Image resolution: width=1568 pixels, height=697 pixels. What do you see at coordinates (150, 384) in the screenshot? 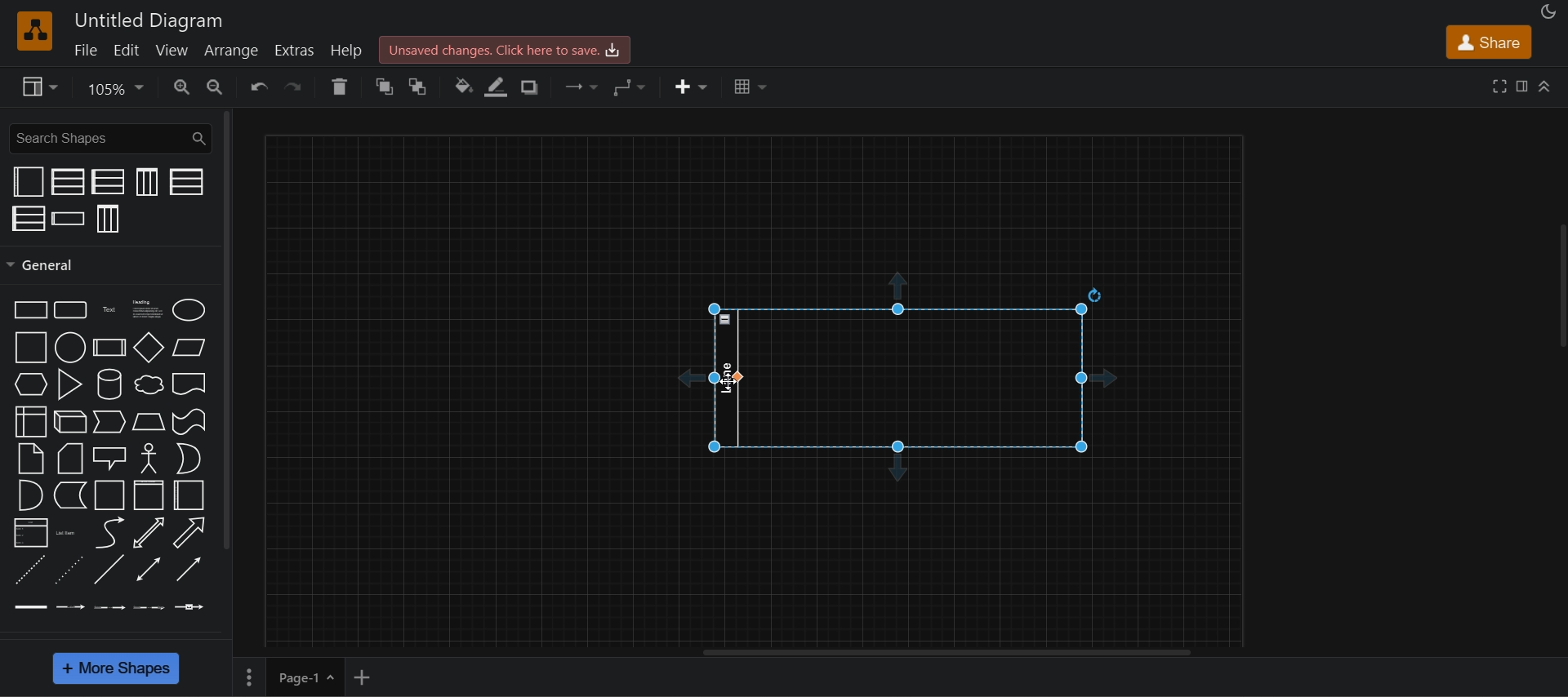
I see `cloud` at bounding box center [150, 384].